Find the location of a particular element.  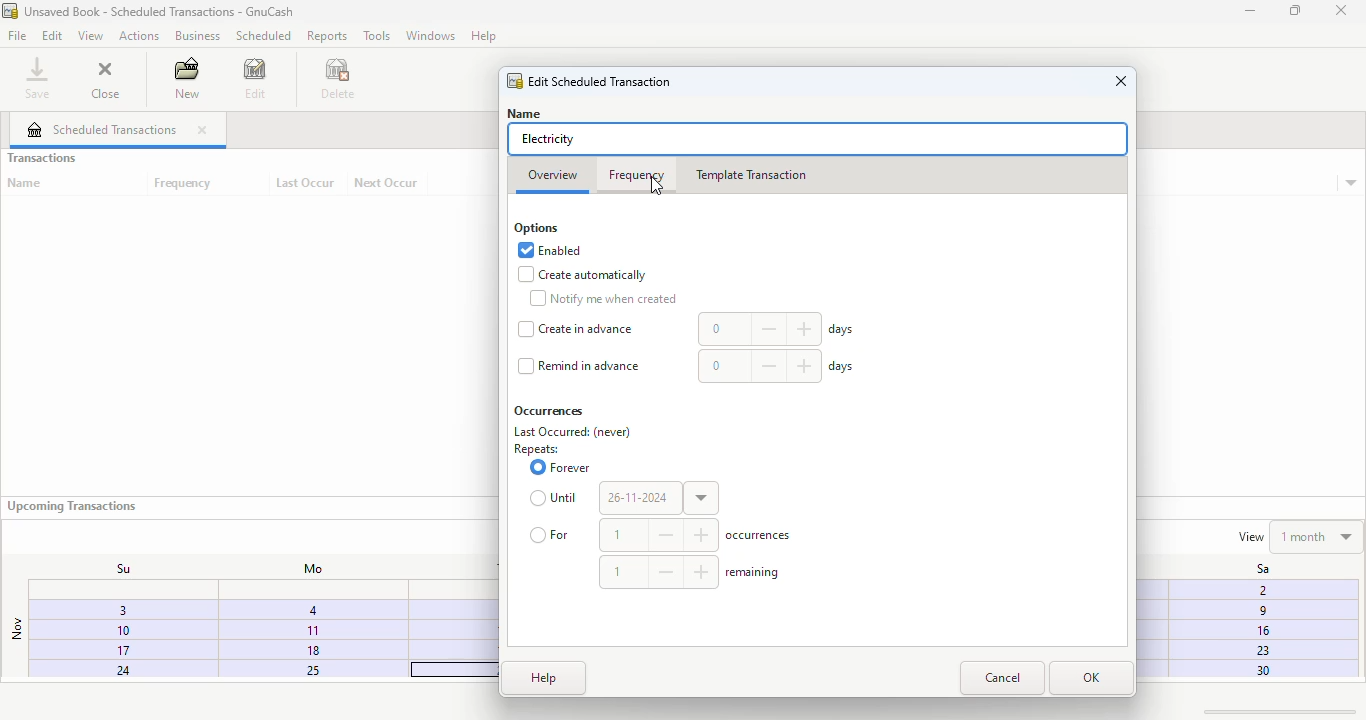

9 is located at coordinates (1258, 613).